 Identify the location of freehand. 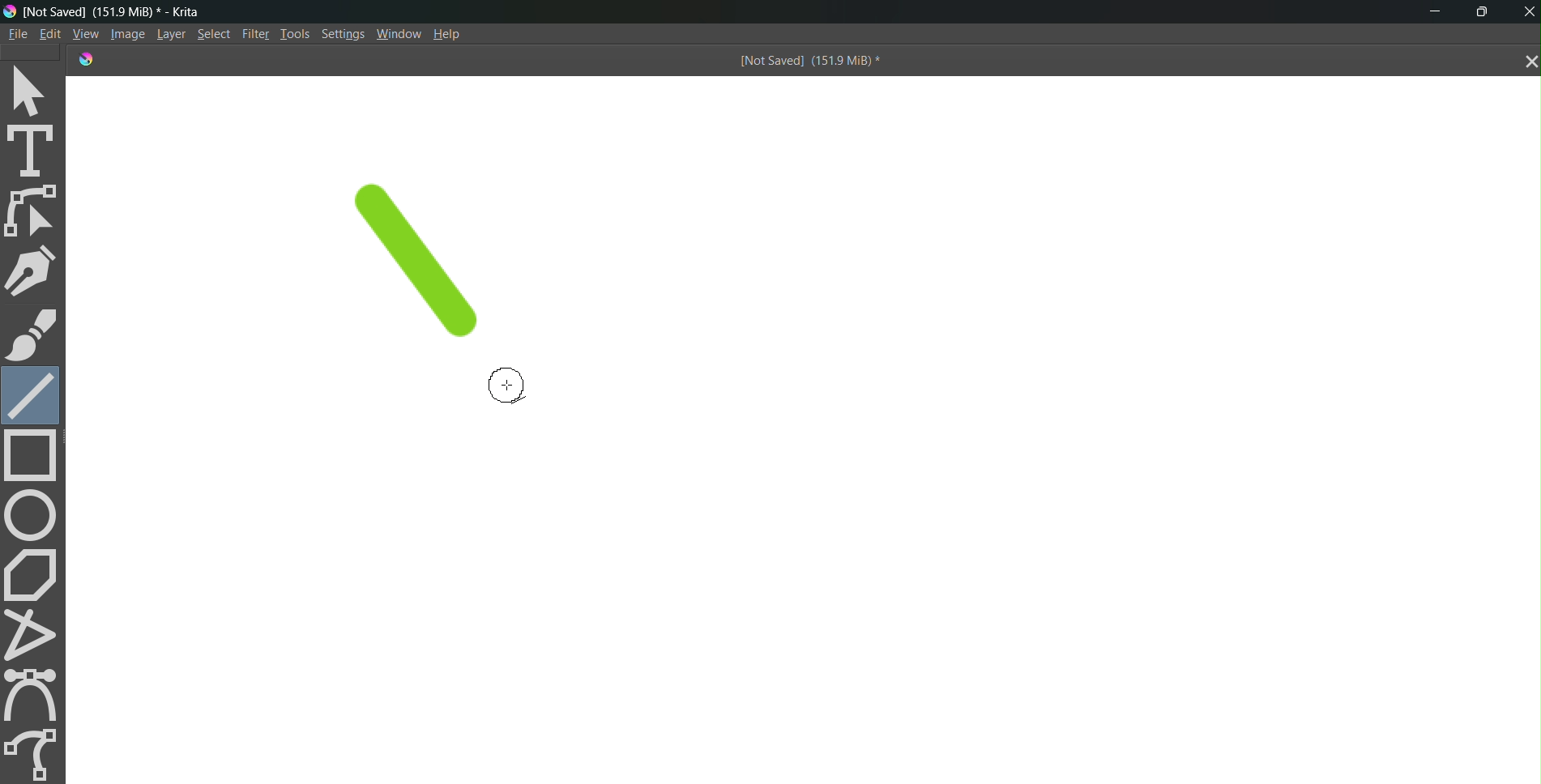
(34, 752).